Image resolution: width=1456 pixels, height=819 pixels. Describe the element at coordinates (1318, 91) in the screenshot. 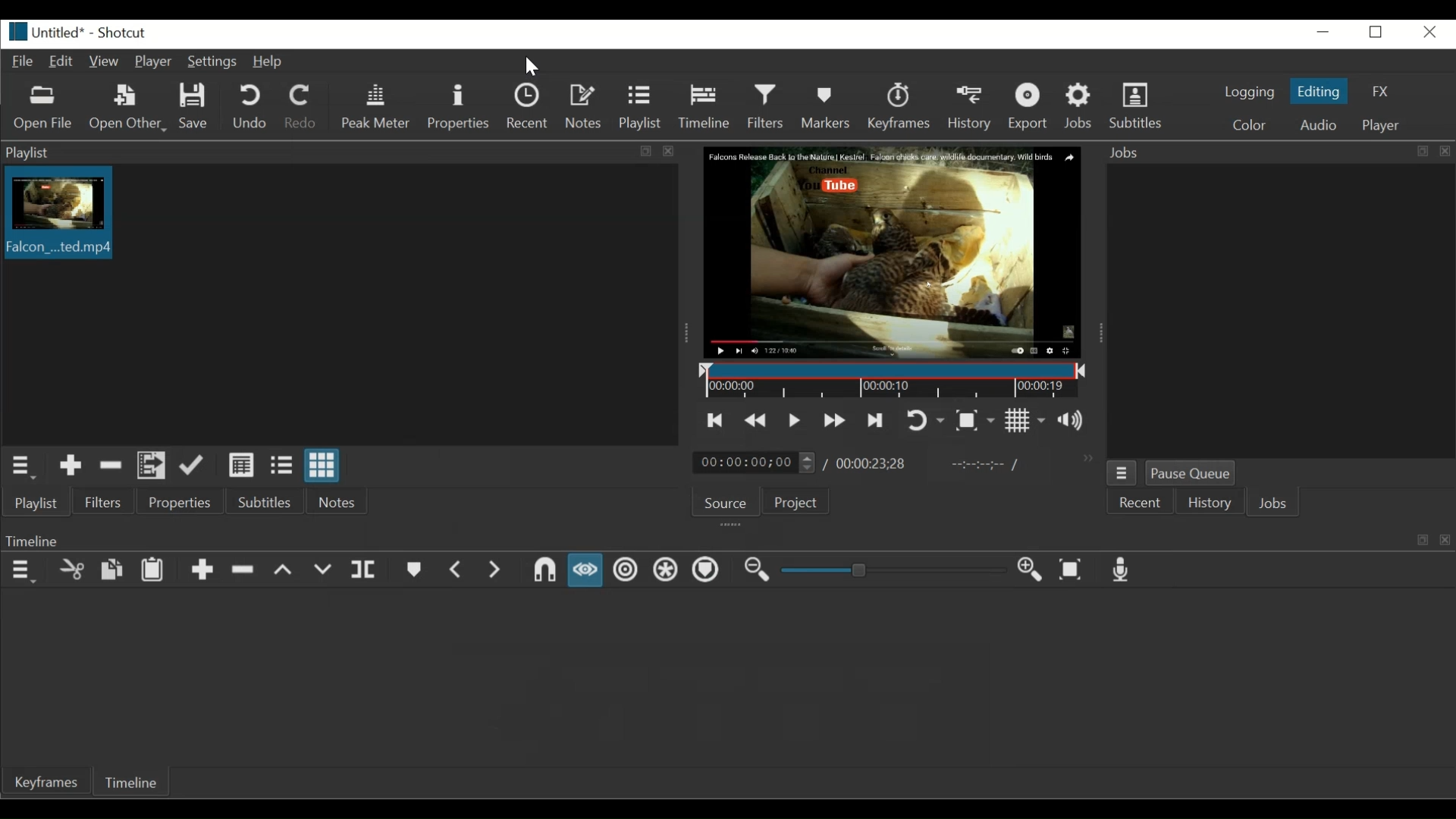

I see `Editing` at that location.